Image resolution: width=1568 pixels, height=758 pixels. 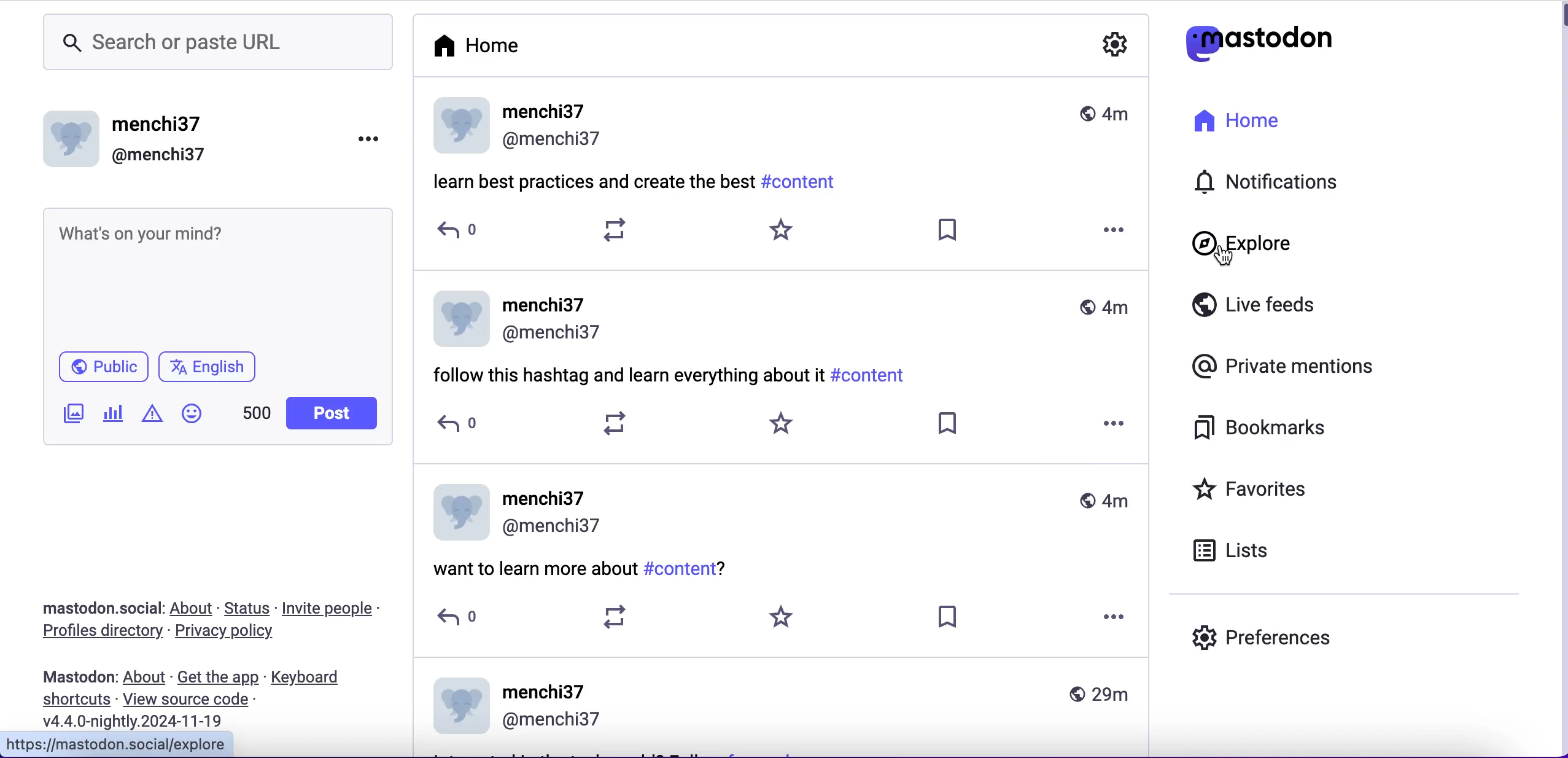 What do you see at coordinates (687, 569) in the screenshot?
I see `hashtag` at bounding box center [687, 569].